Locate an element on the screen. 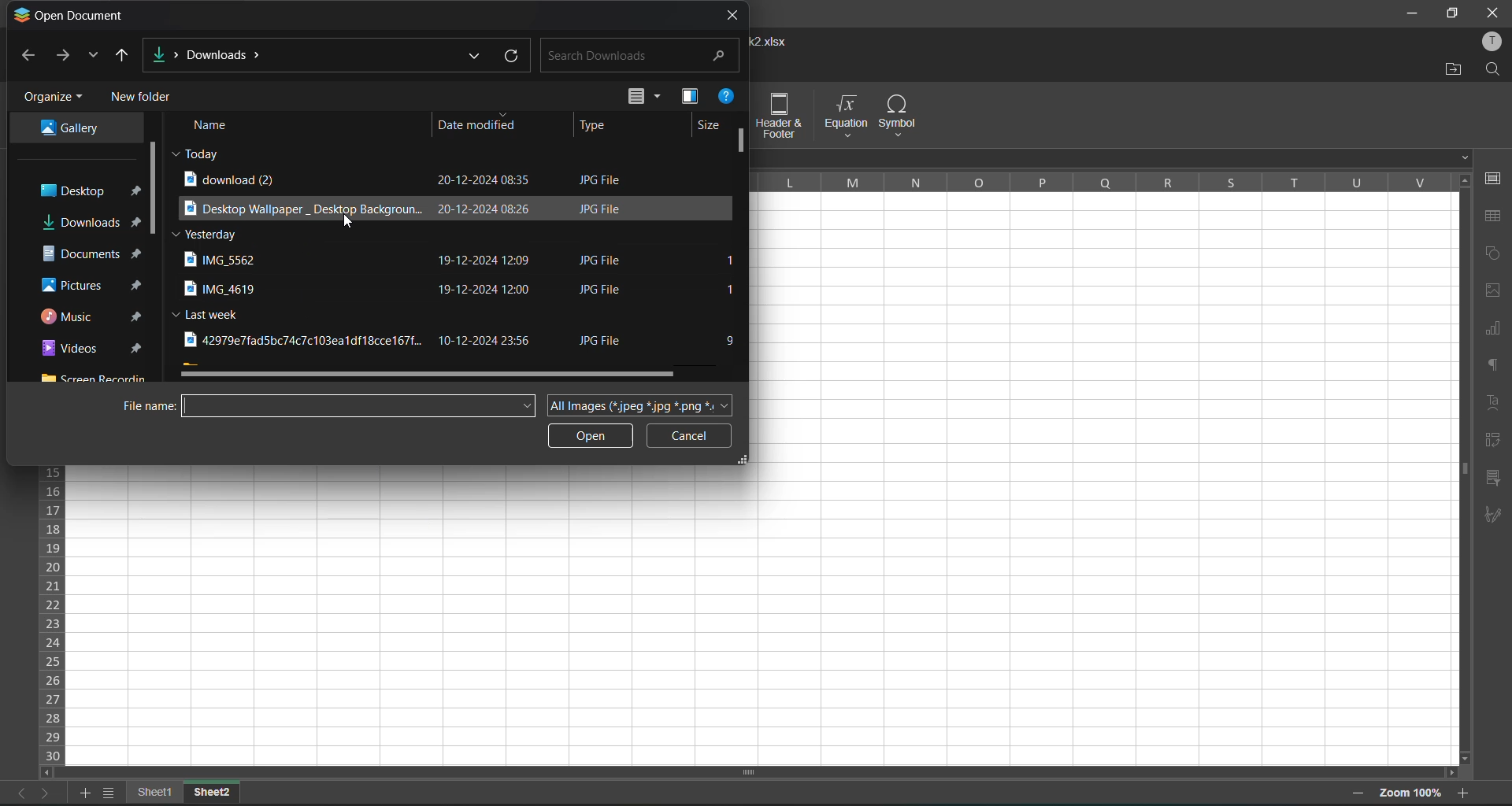 Image resolution: width=1512 pixels, height=806 pixels. recent locations is located at coordinates (94, 57).